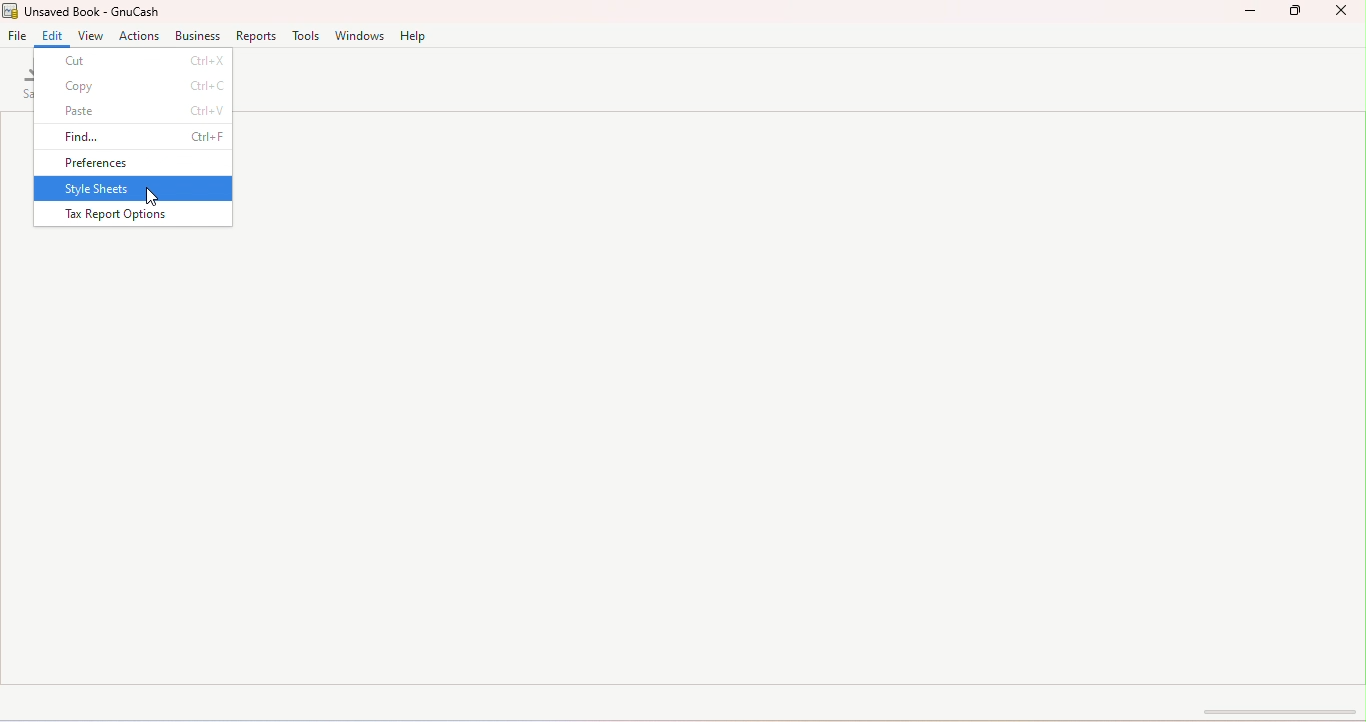 Image resolution: width=1366 pixels, height=722 pixels. Describe the element at coordinates (134, 62) in the screenshot. I see `cut` at that location.